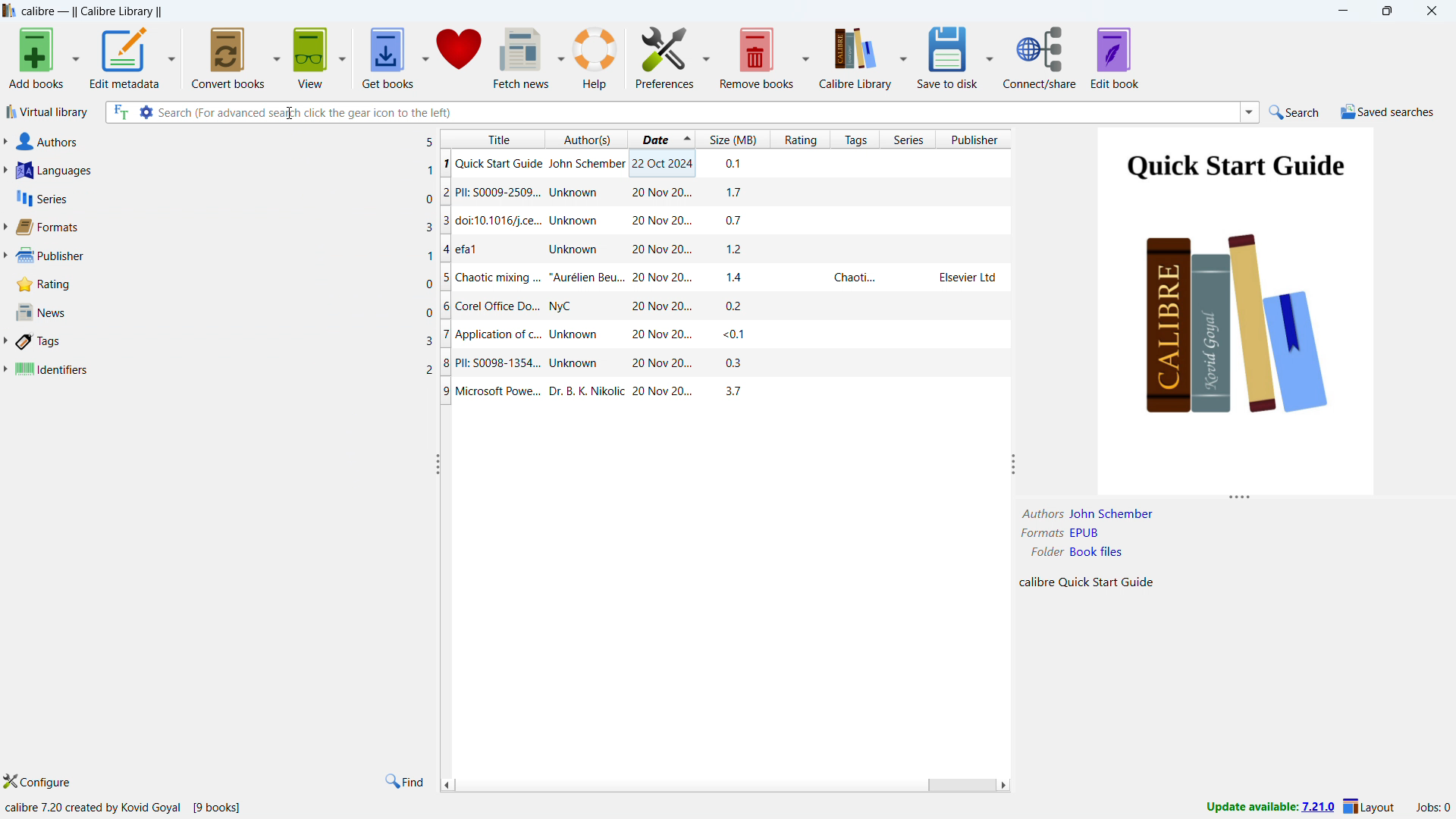 This screenshot has height=819, width=1456. Describe the element at coordinates (1097, 535) in the screenshot. I see `EPUB` at that location.